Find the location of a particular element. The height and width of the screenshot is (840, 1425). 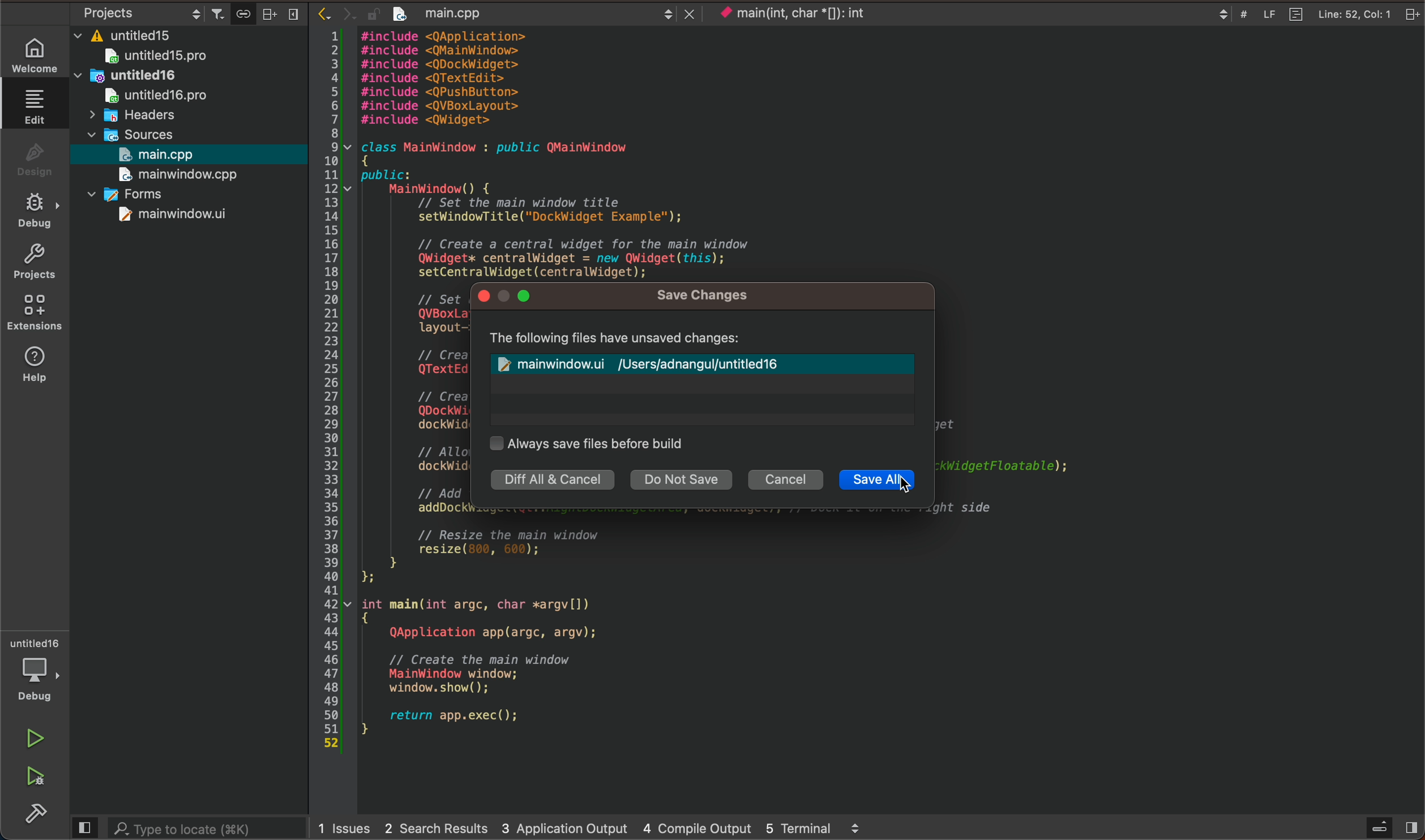

filter is located at coordinates (220, 11).